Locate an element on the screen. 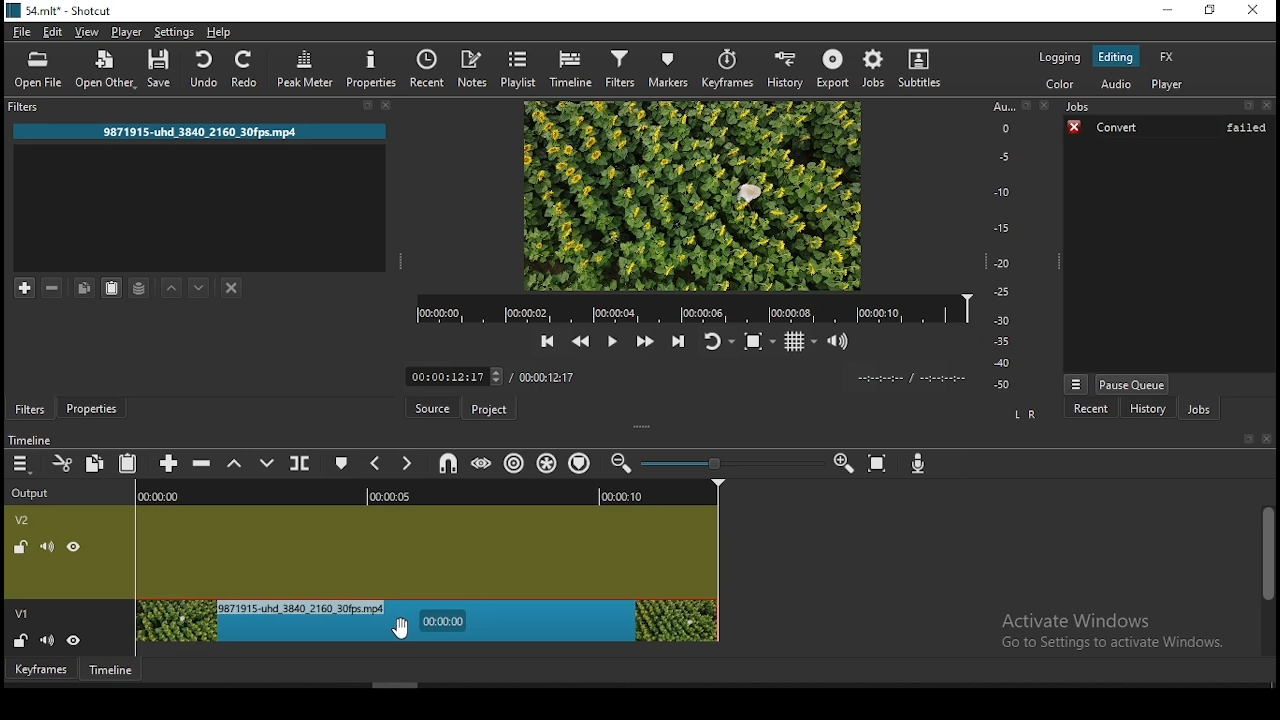 This screenshot has width=1280, height=720. paste is located at coordinates (110, 289).